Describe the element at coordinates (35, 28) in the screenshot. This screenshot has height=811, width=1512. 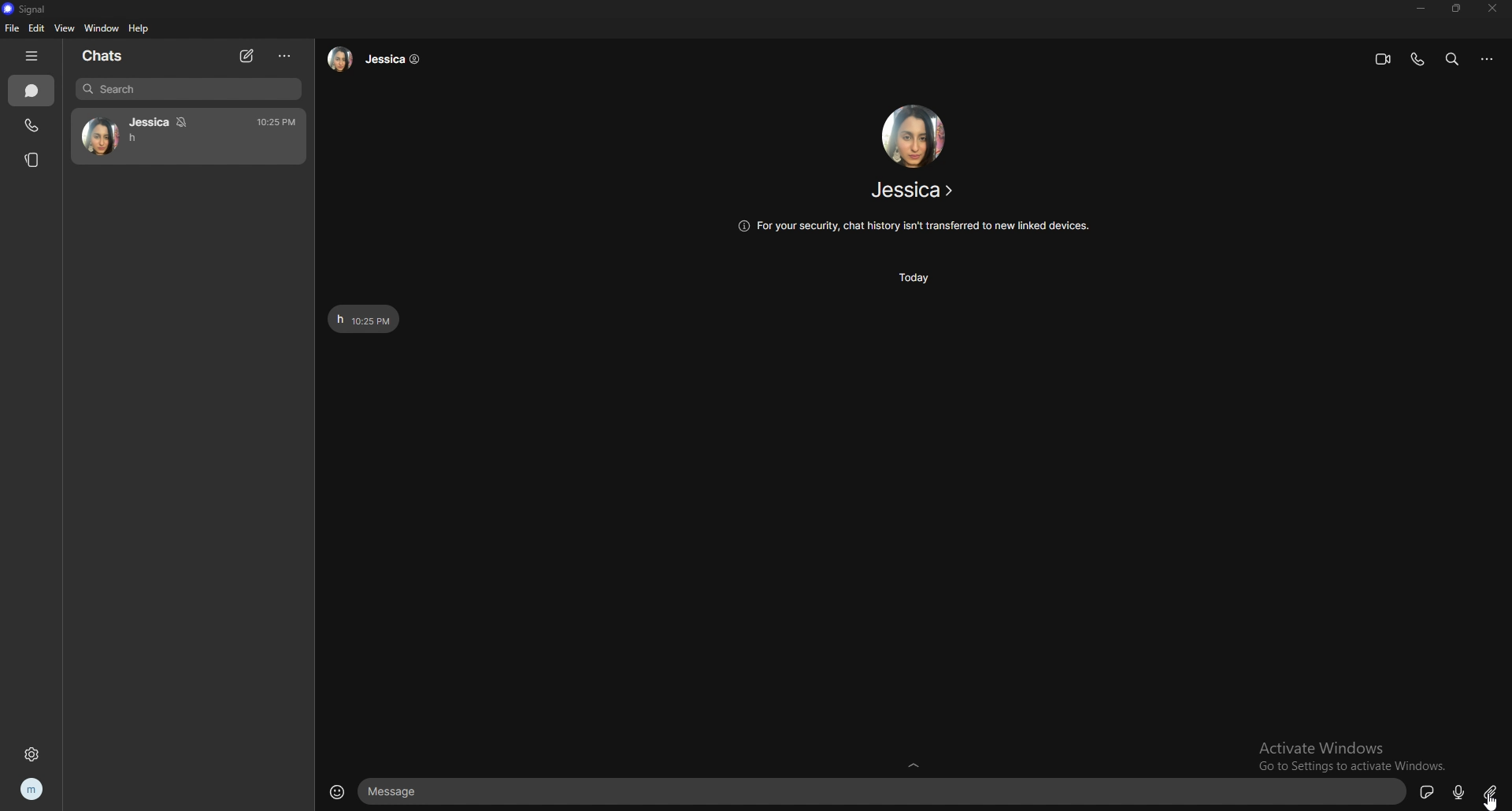
I see `edit` at that location.